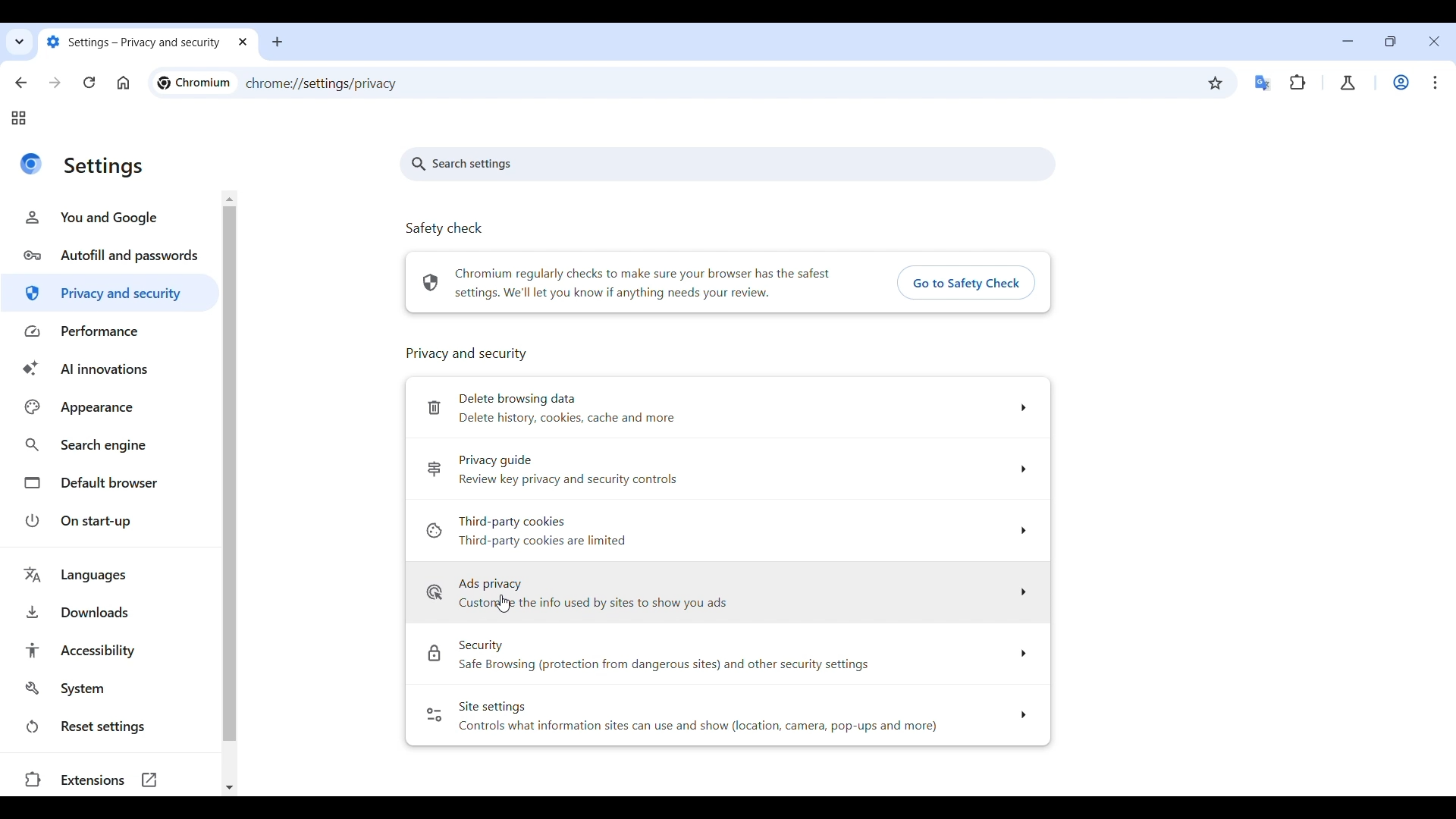  Describe the element at coordinates (109, 446) in the screenshot. I see `Search engine` at that location.